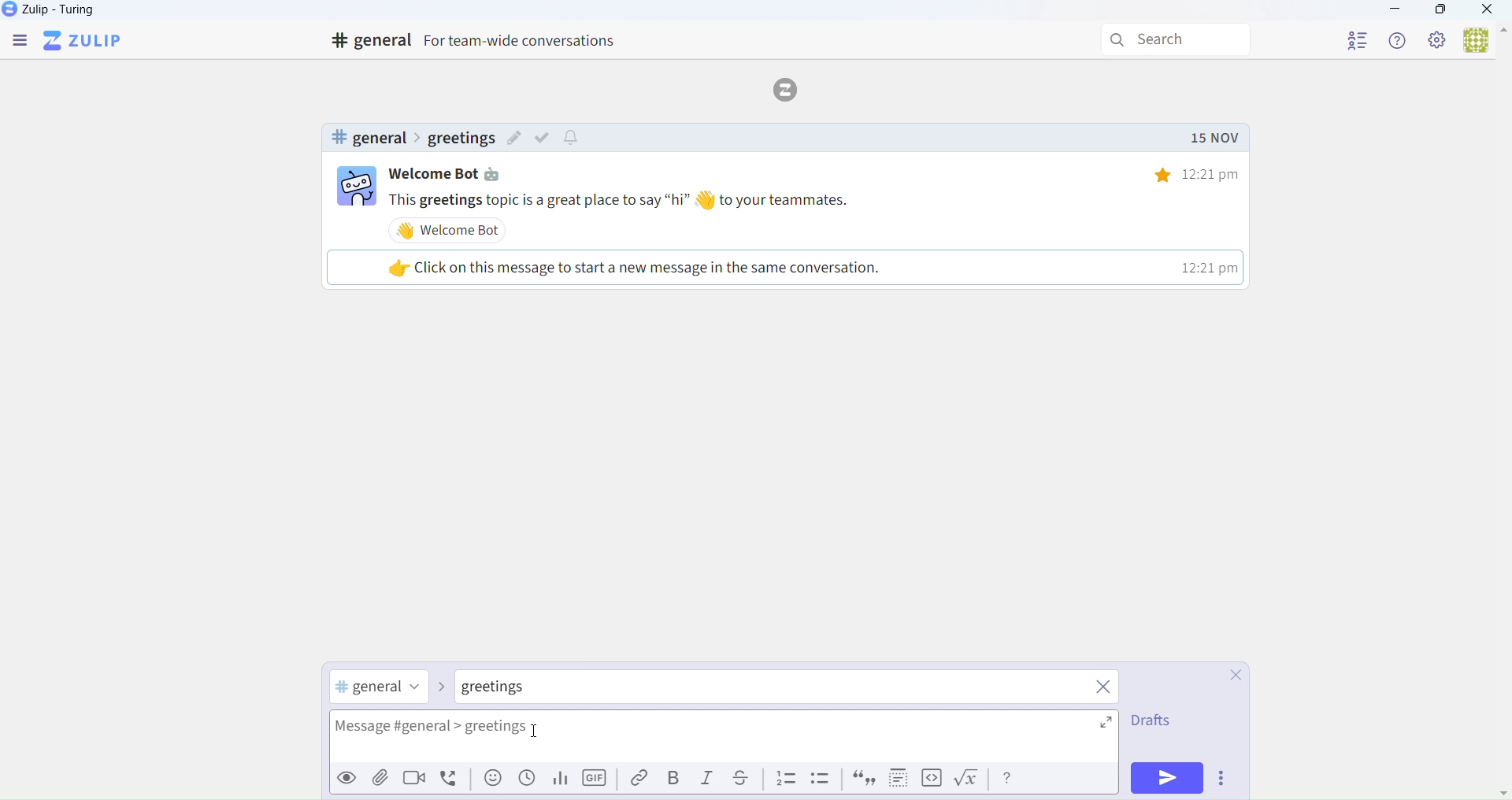 This screenshot has height=800, width=1512. Describe the element at coordinates (1358, 38) in the screenshot. I see `profile` at that location.